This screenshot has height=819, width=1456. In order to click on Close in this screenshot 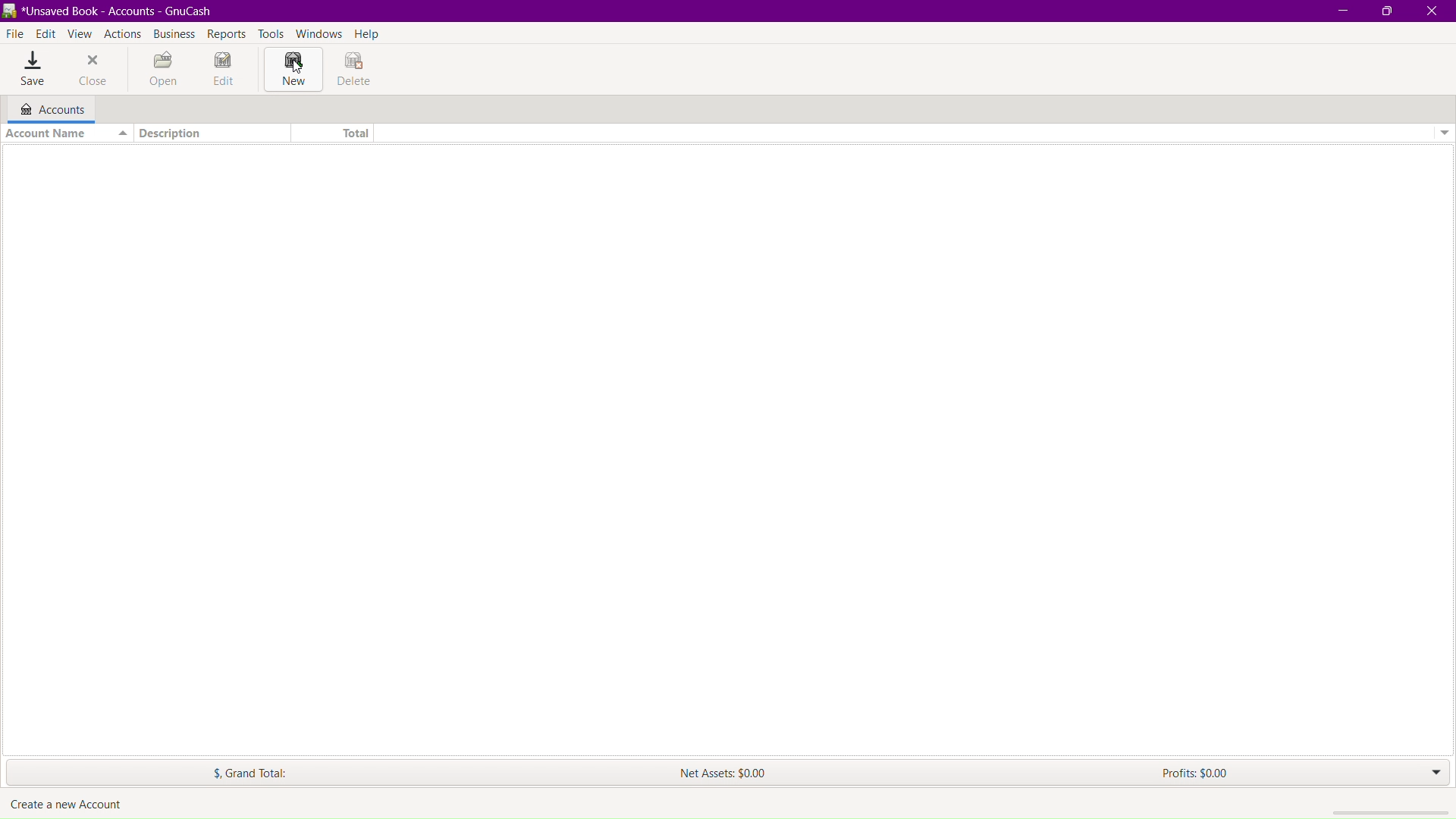, I will do `click(1432, 11)`.